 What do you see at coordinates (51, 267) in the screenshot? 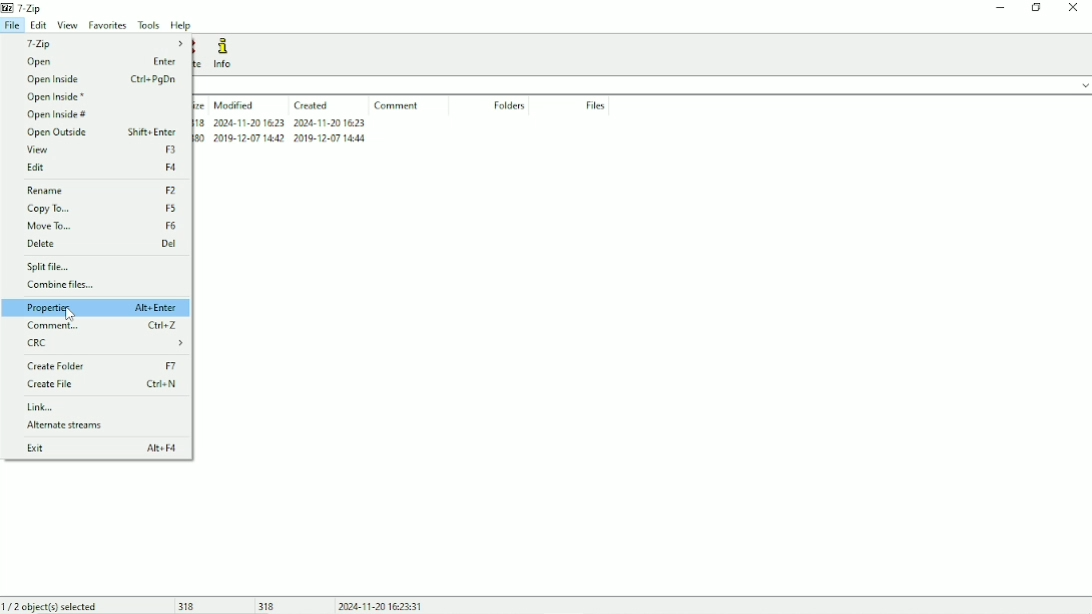
I see `Split File` at bounding box center [51, 267].